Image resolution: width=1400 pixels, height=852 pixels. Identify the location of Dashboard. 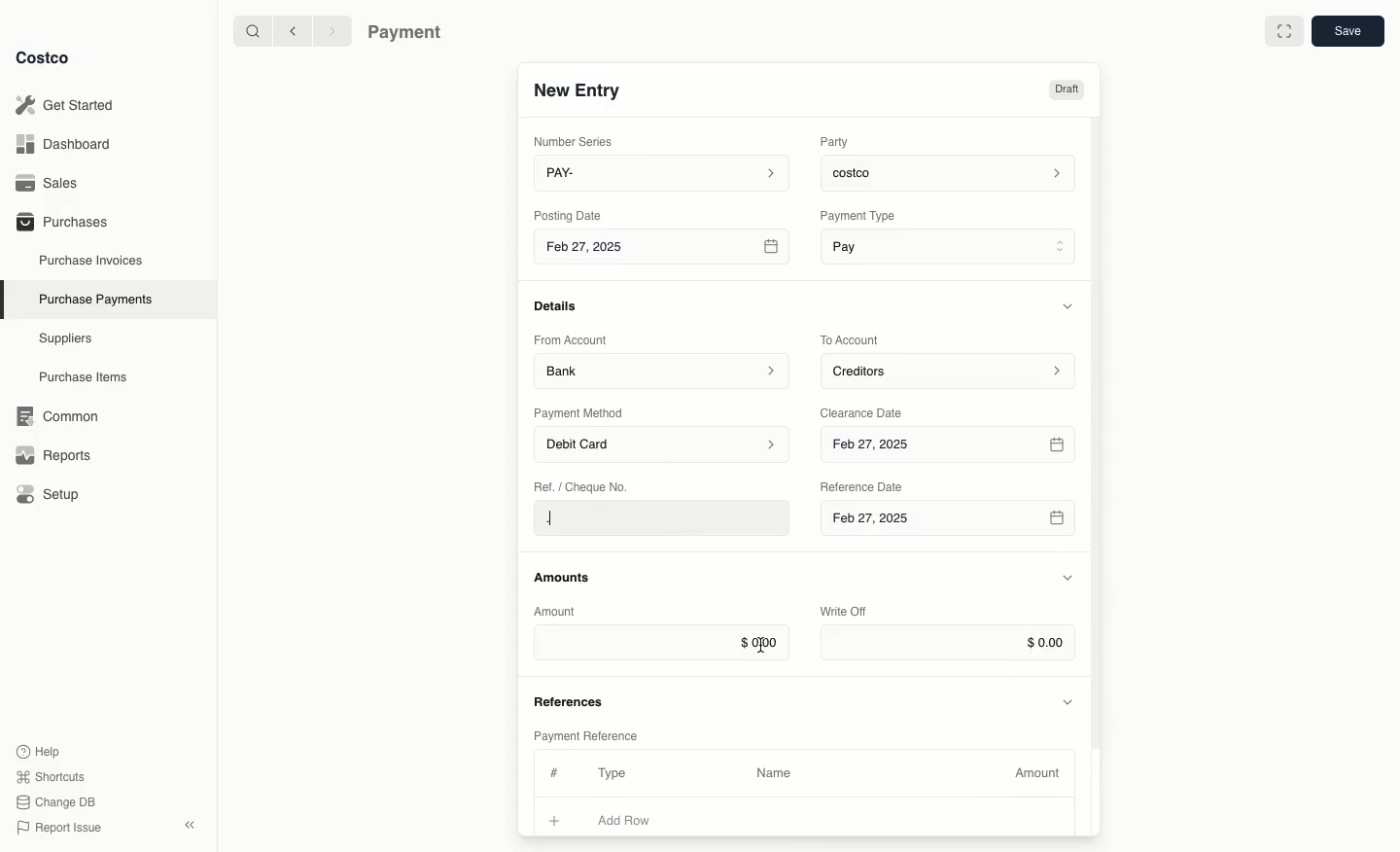
(69, 143).